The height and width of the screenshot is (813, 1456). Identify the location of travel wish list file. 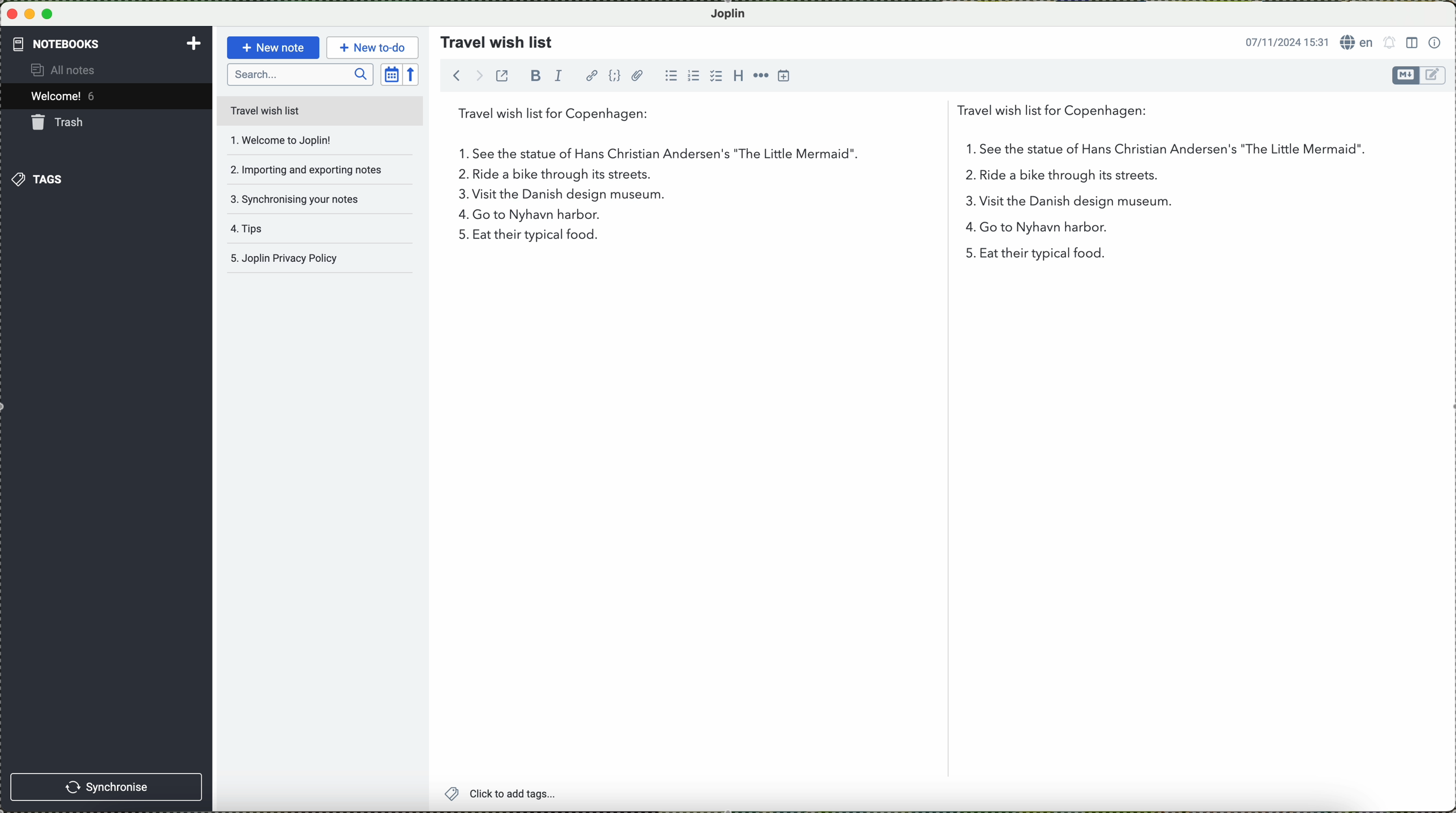
(319, 110).